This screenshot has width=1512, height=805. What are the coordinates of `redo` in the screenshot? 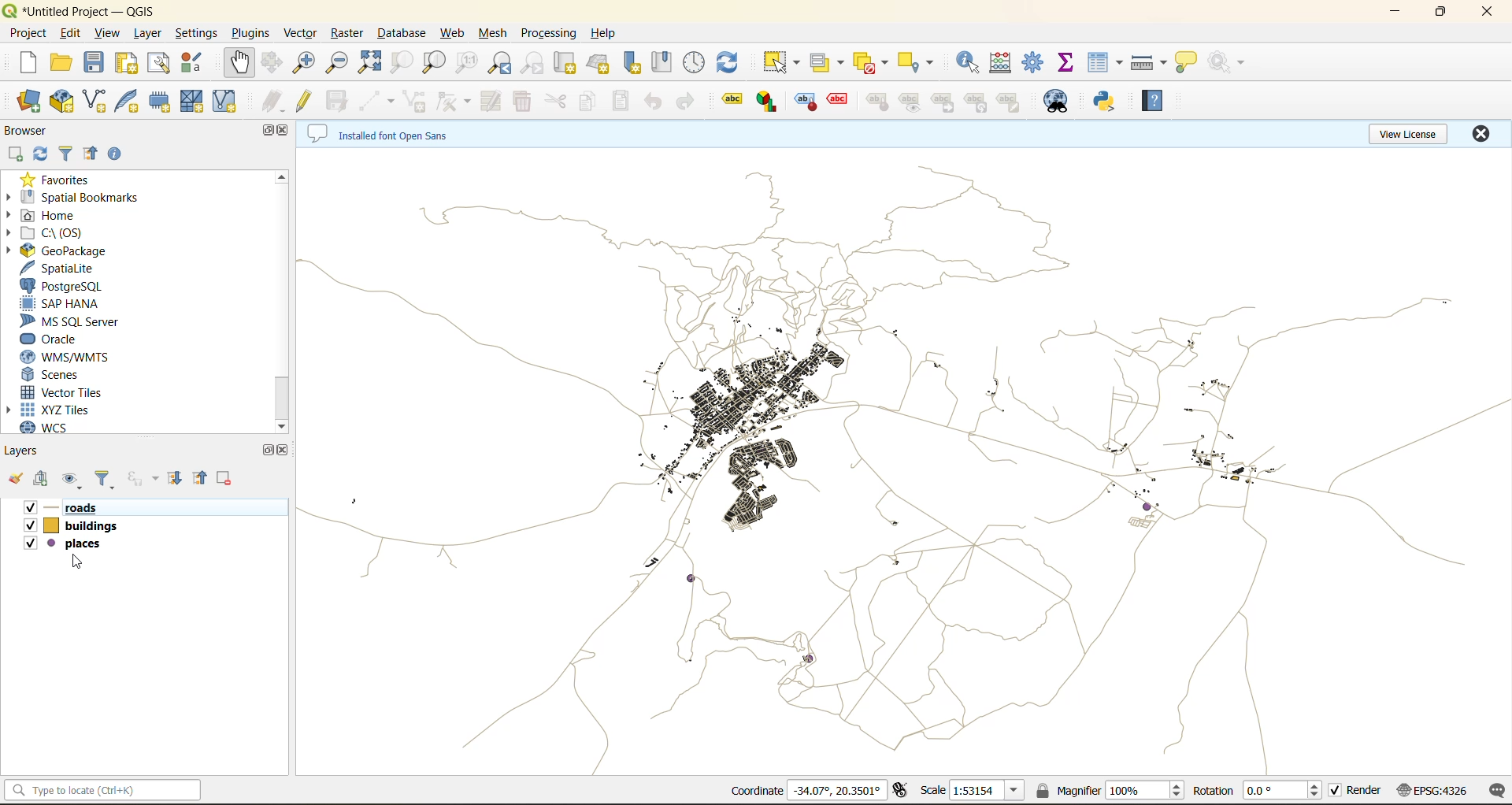 It's located at (689, 102).